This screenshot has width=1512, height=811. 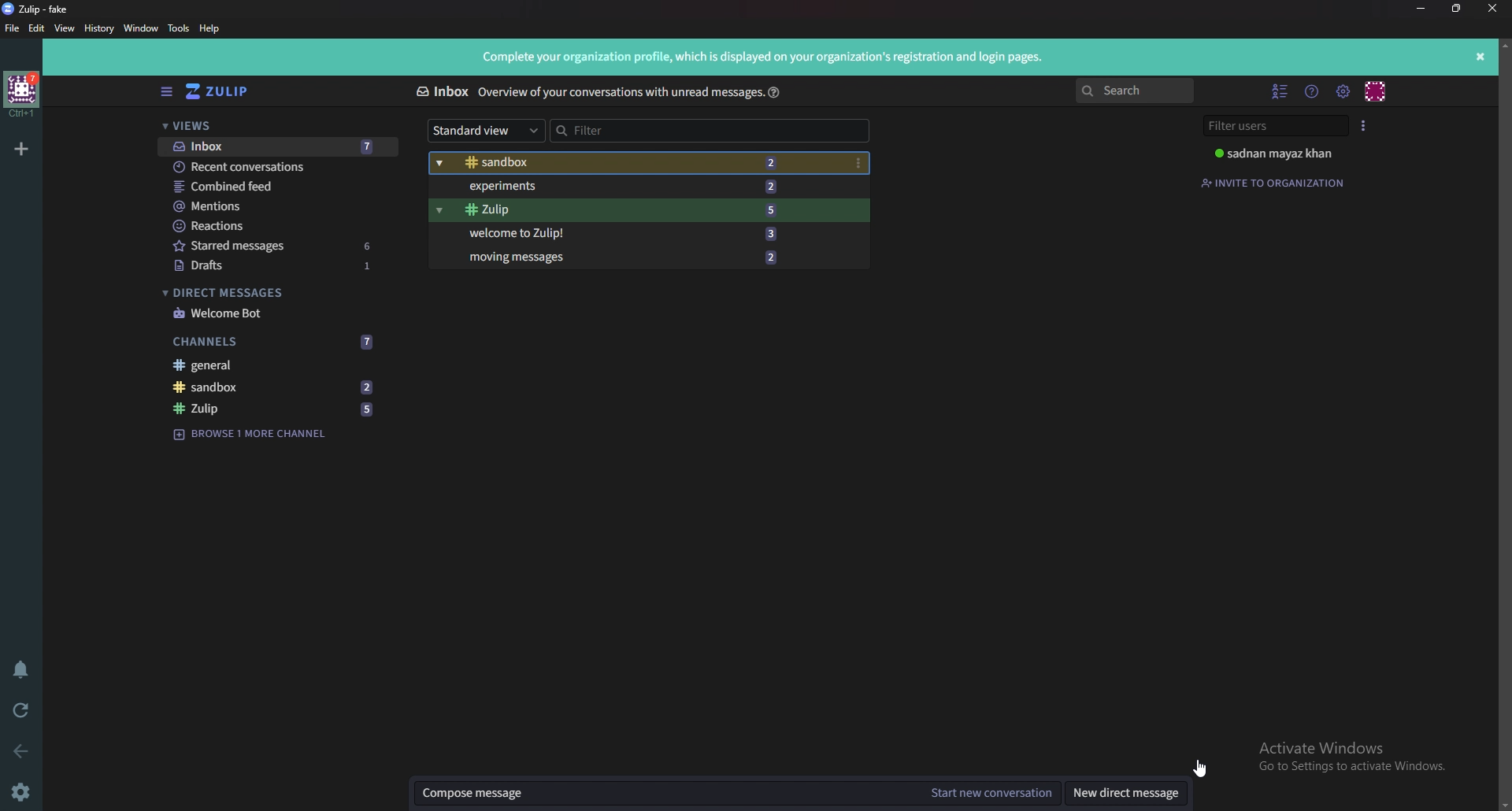 What do you see at coordinates (280, 313) in the screenshot?
I see `Welcome bot` at bounding box center [280, 313].